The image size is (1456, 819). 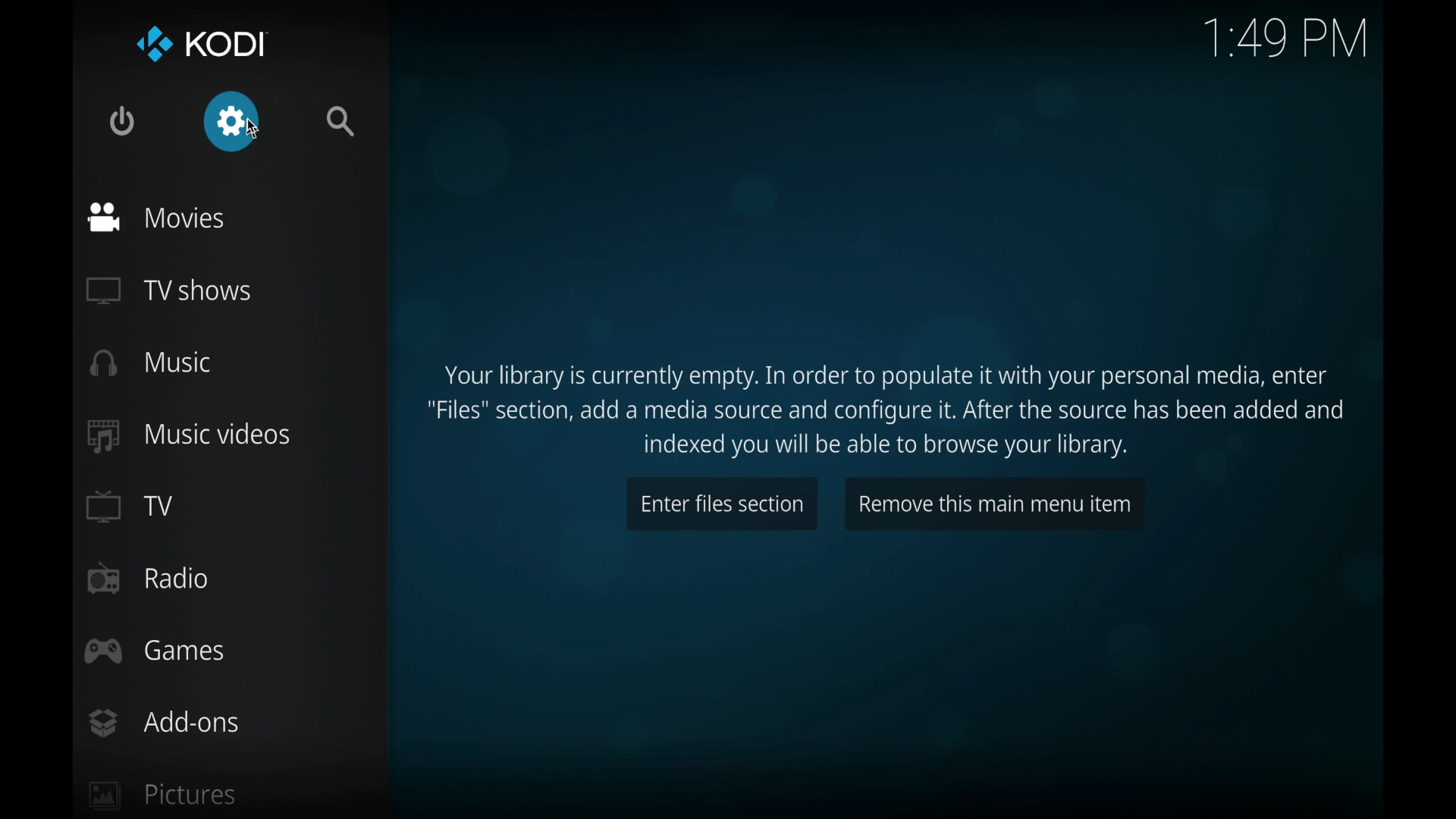 I want to click on TV, so click(x=127, y=506).